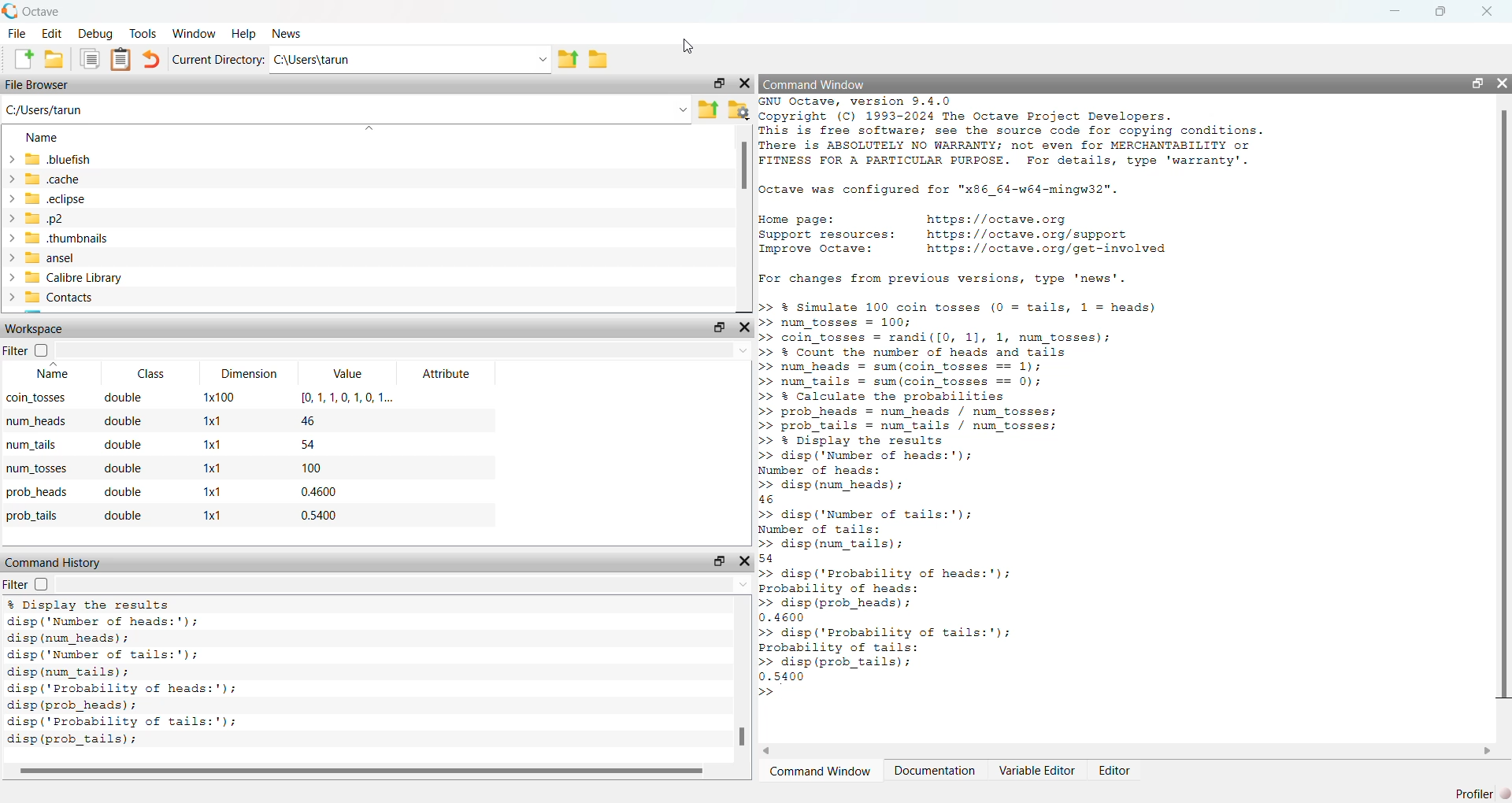  What do you see at coordinates (1502, 83) in the screenshot?
I see `close` at bounding box center [1502, 83].